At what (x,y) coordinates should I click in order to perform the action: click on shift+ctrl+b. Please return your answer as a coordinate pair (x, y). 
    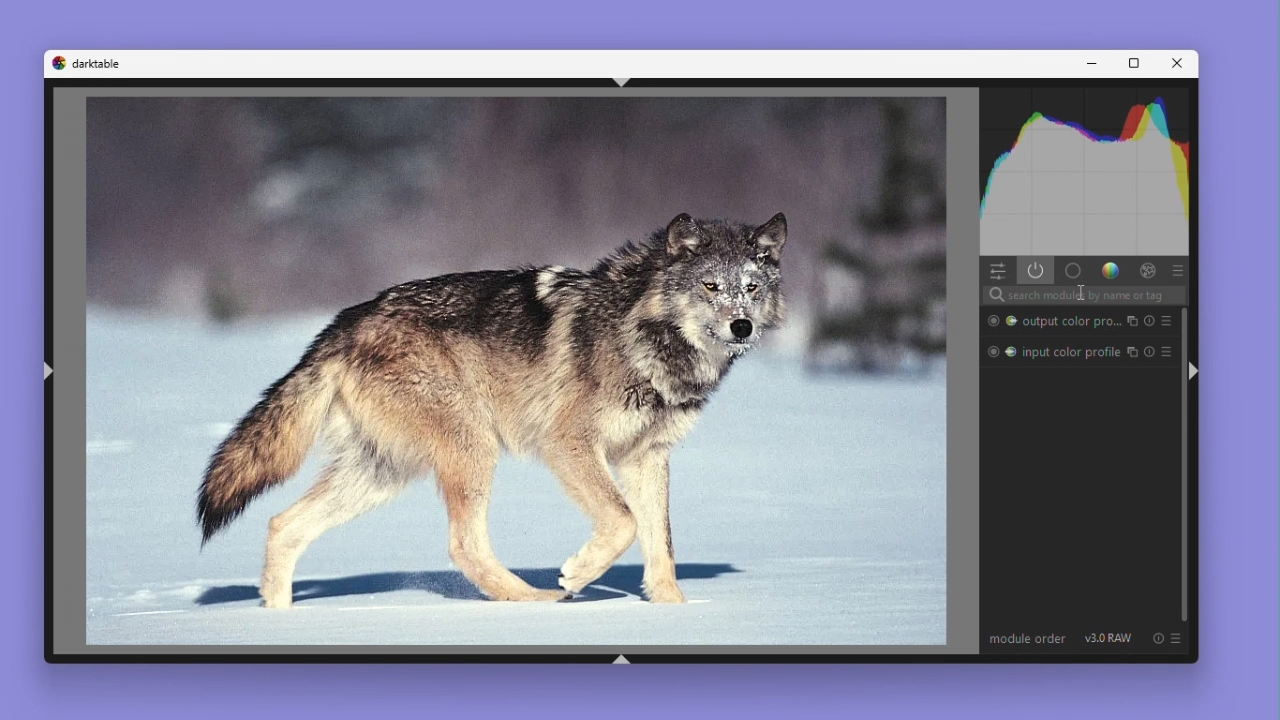
    Looking at the image, I should click on (621, 660).